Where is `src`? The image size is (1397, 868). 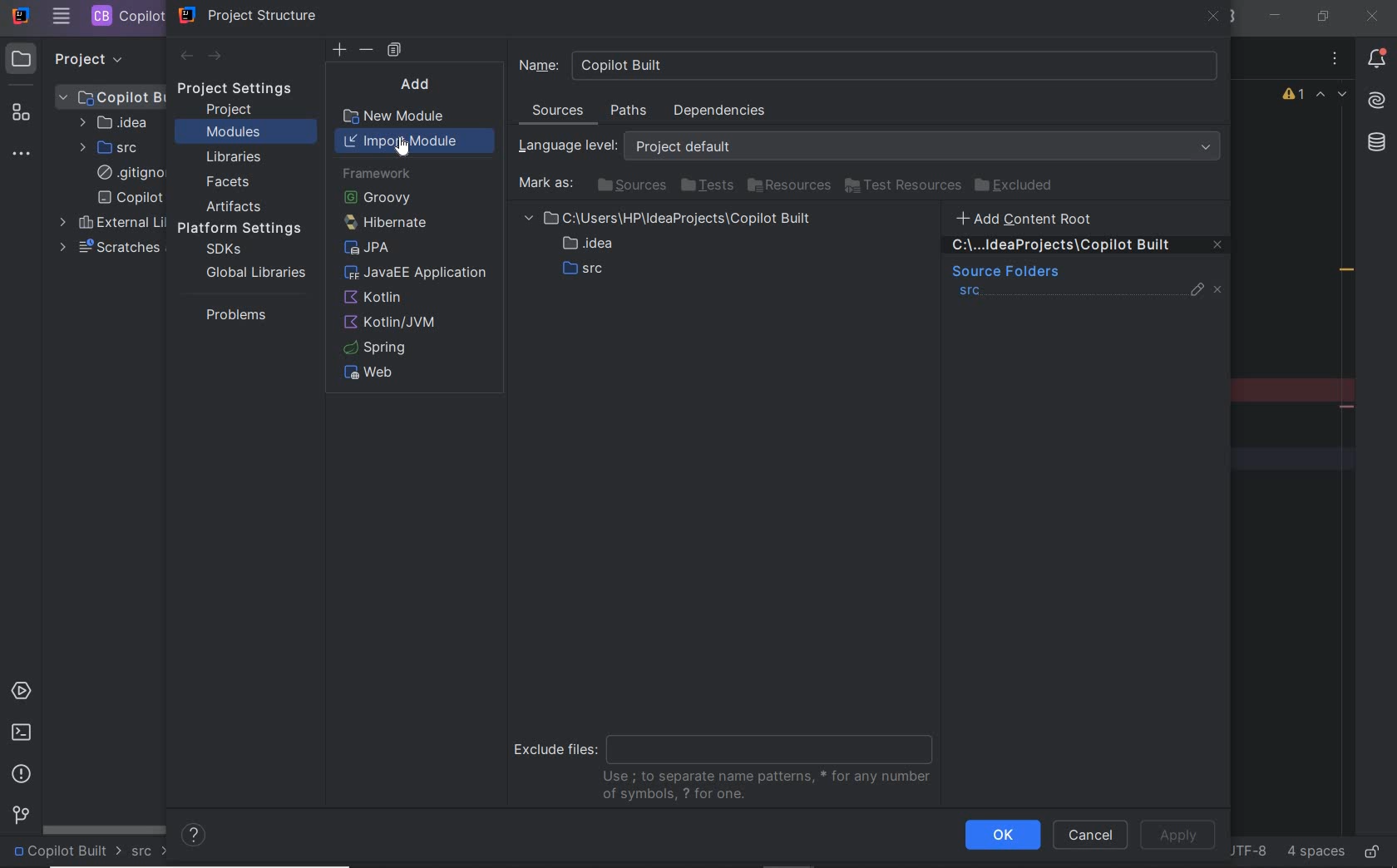
src is located at coordinates (970, 293).